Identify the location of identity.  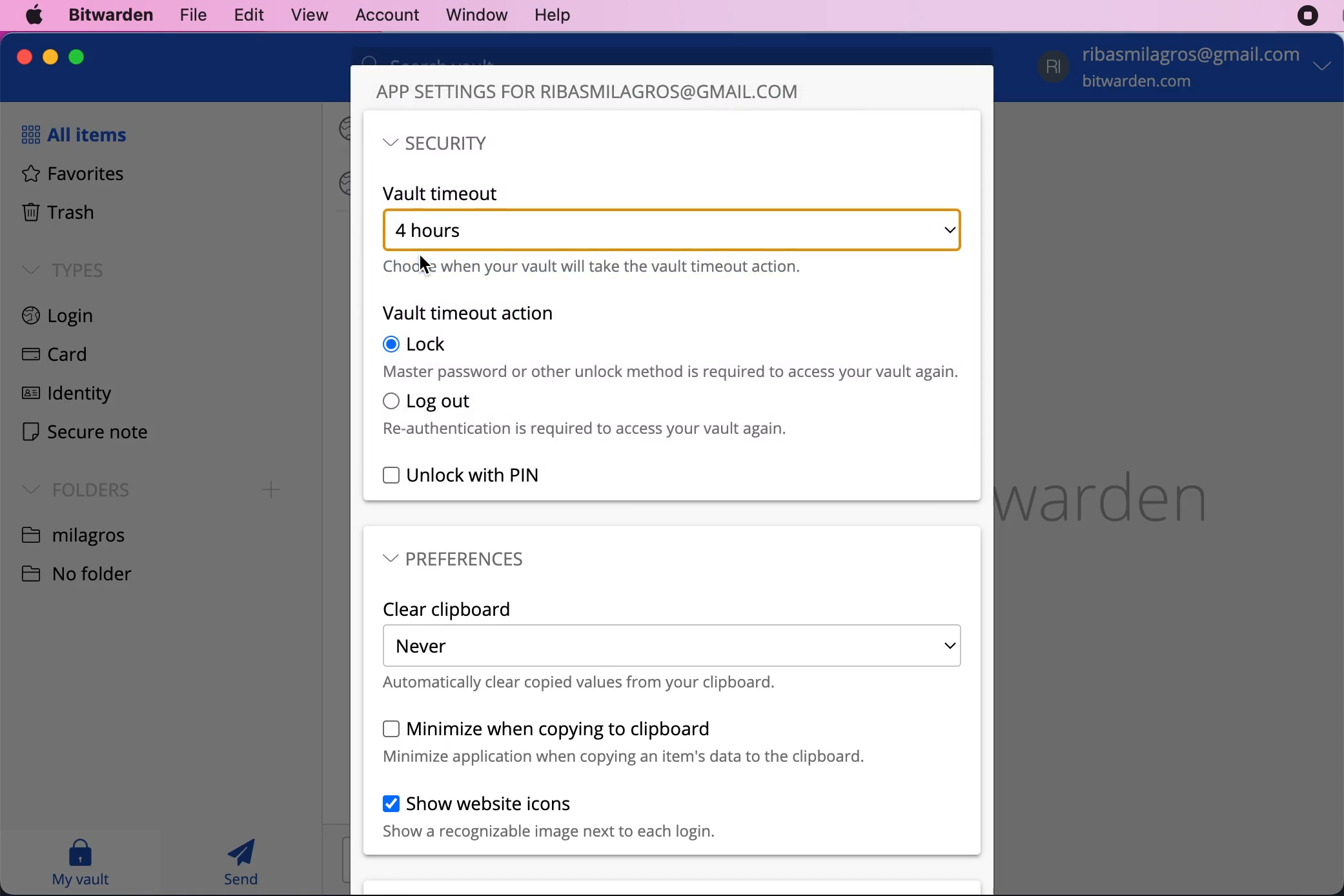
(63, 396).